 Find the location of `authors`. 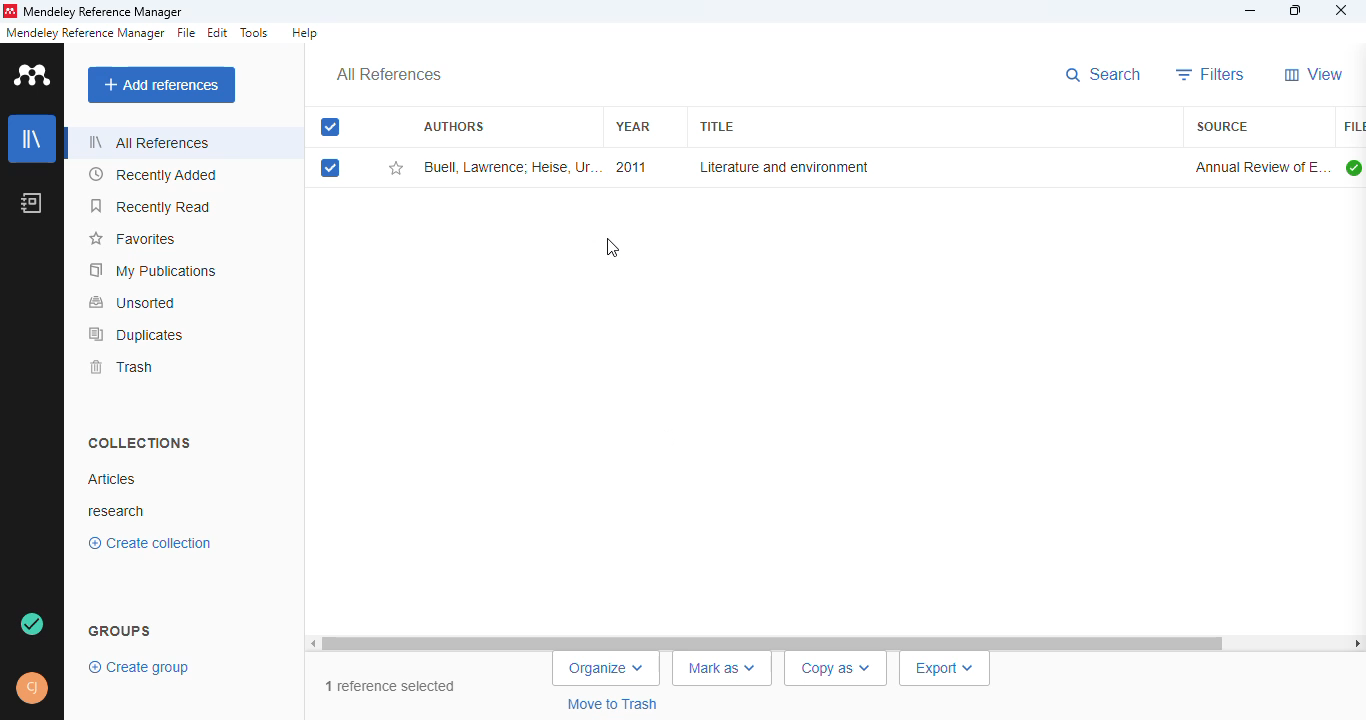

authors is located at coordinates (453, 125).